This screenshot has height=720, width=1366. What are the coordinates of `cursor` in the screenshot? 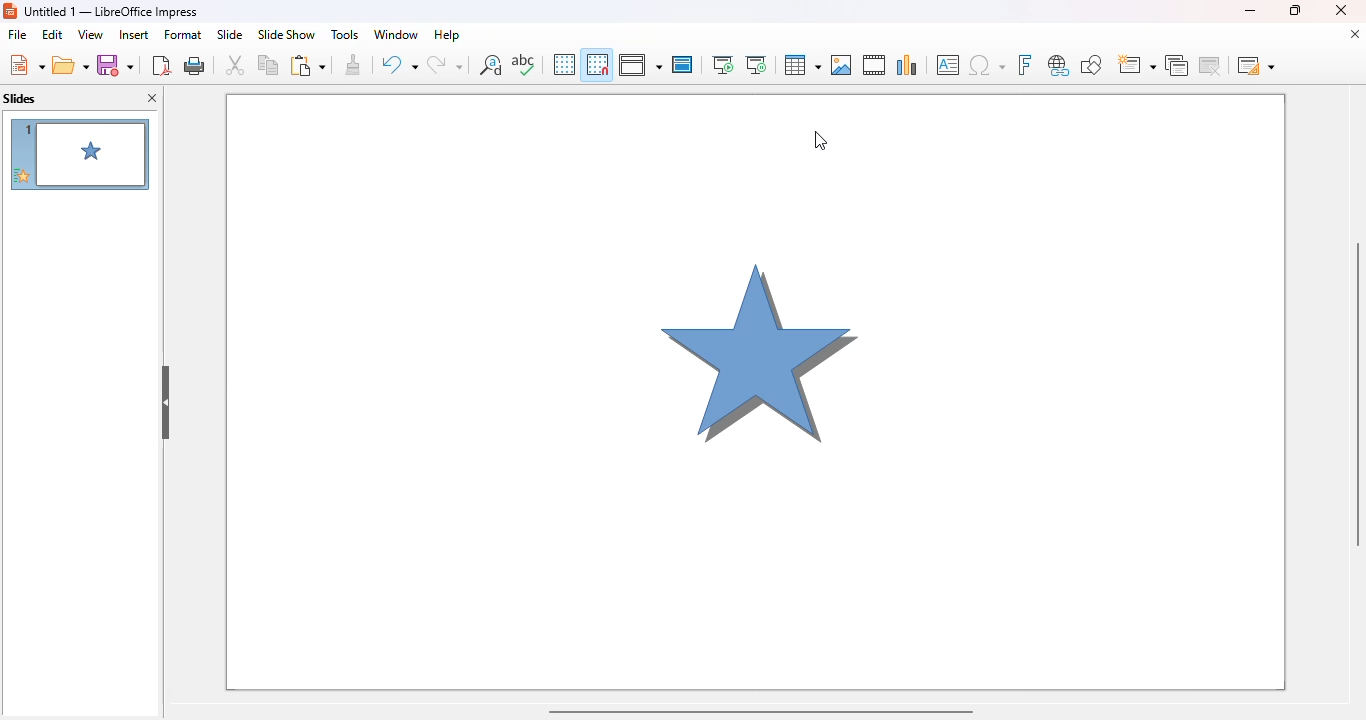 It's located at (821, 140).